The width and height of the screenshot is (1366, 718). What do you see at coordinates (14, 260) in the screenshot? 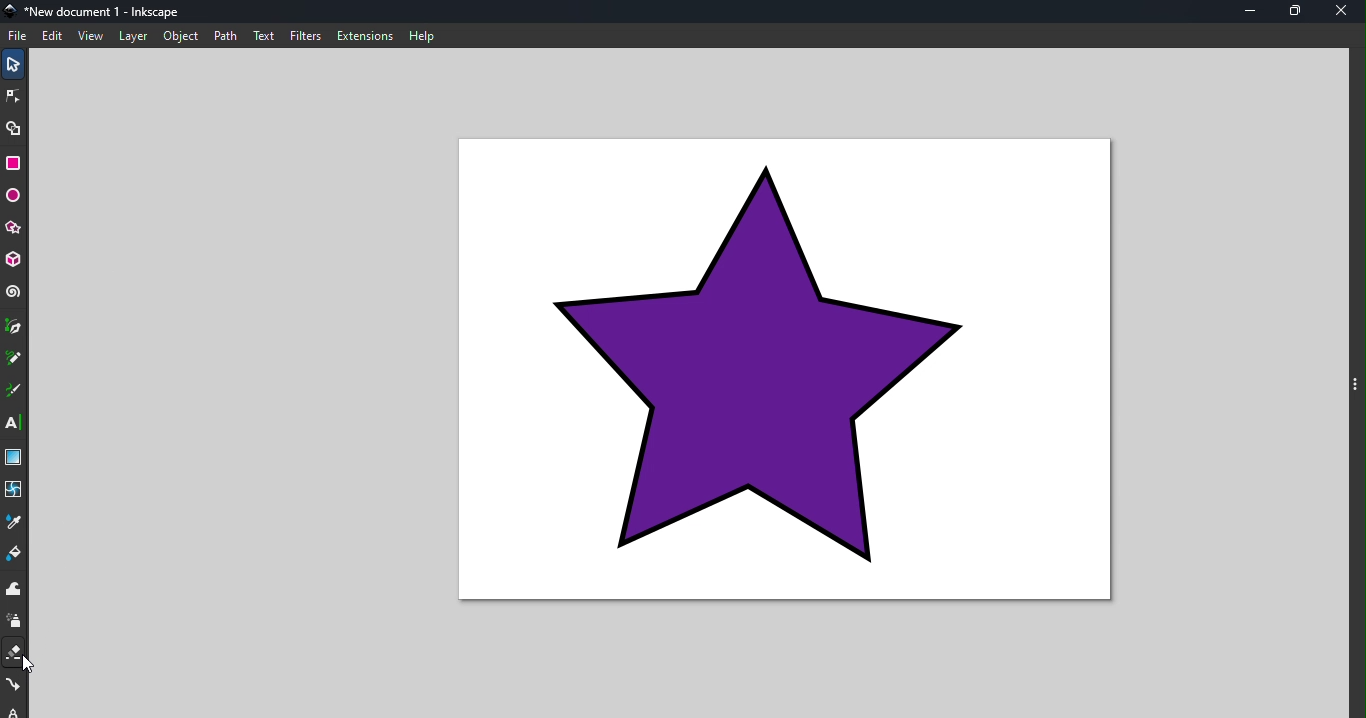
I see `3D box tool` at bounding box center [14, 260].